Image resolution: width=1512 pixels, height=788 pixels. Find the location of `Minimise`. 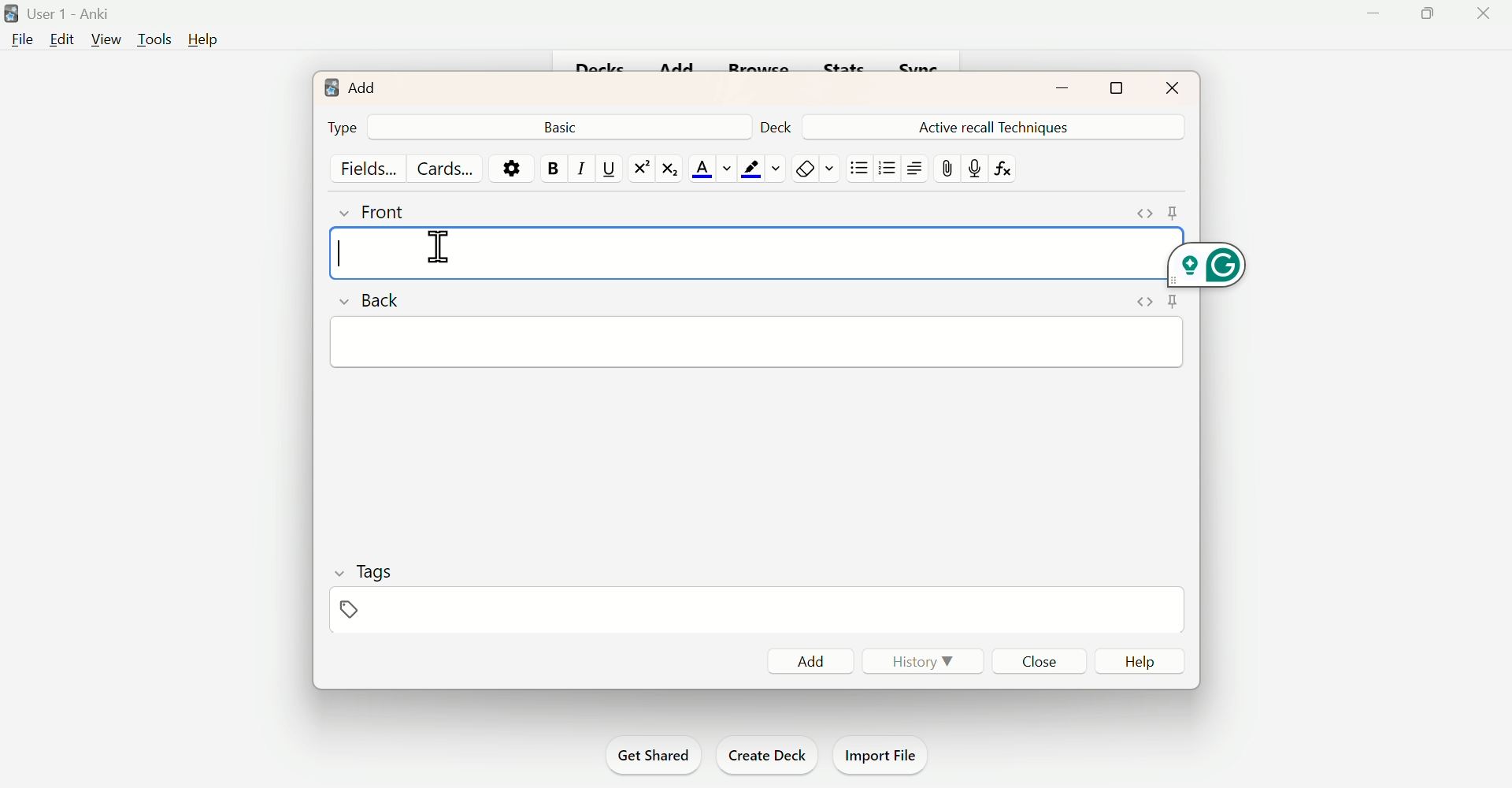

Minimise is located at coordinates (1373, 15).